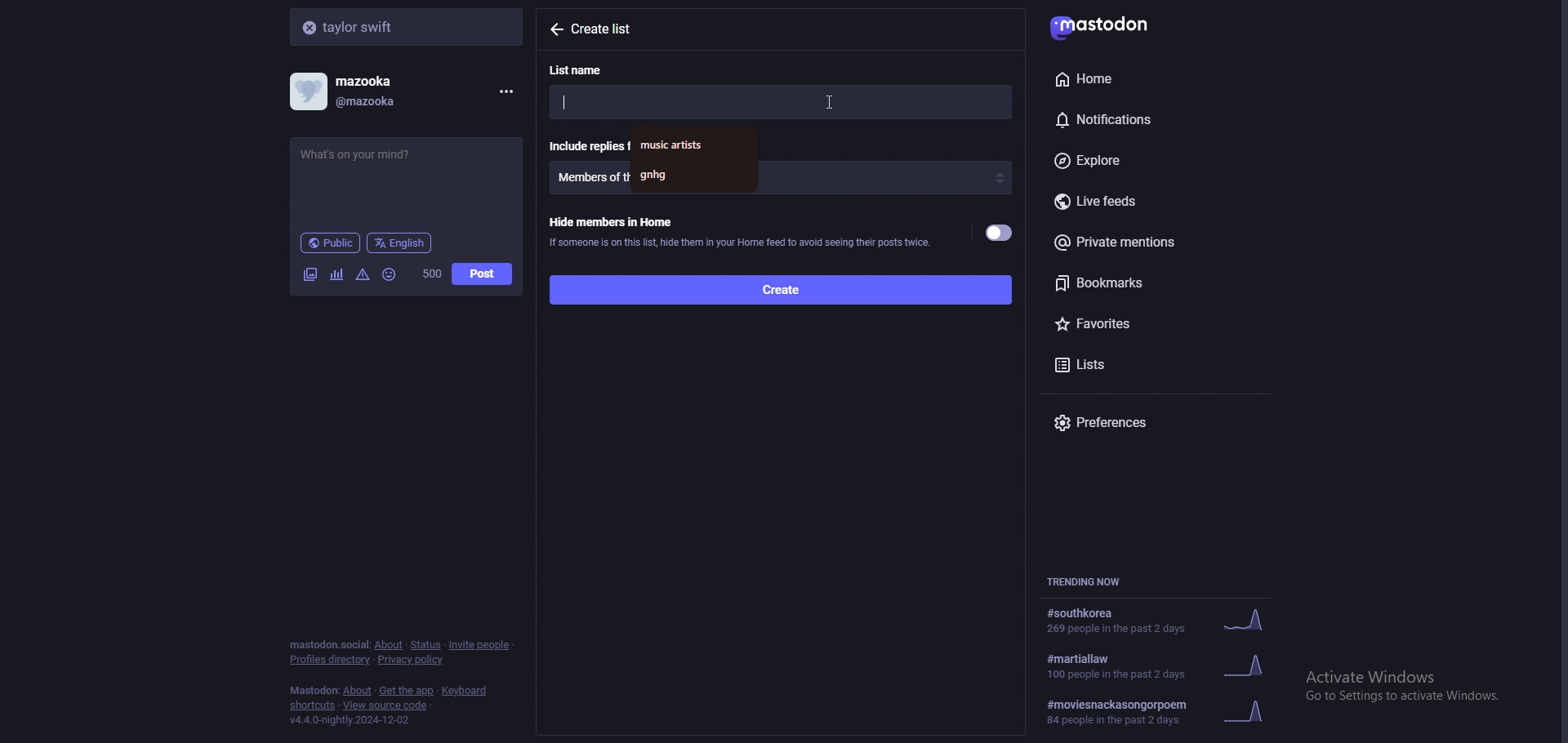  What do you see at coordinates (739, 230) in the screenshot?
I see `hide members in home` at bounding box center [739, 230].